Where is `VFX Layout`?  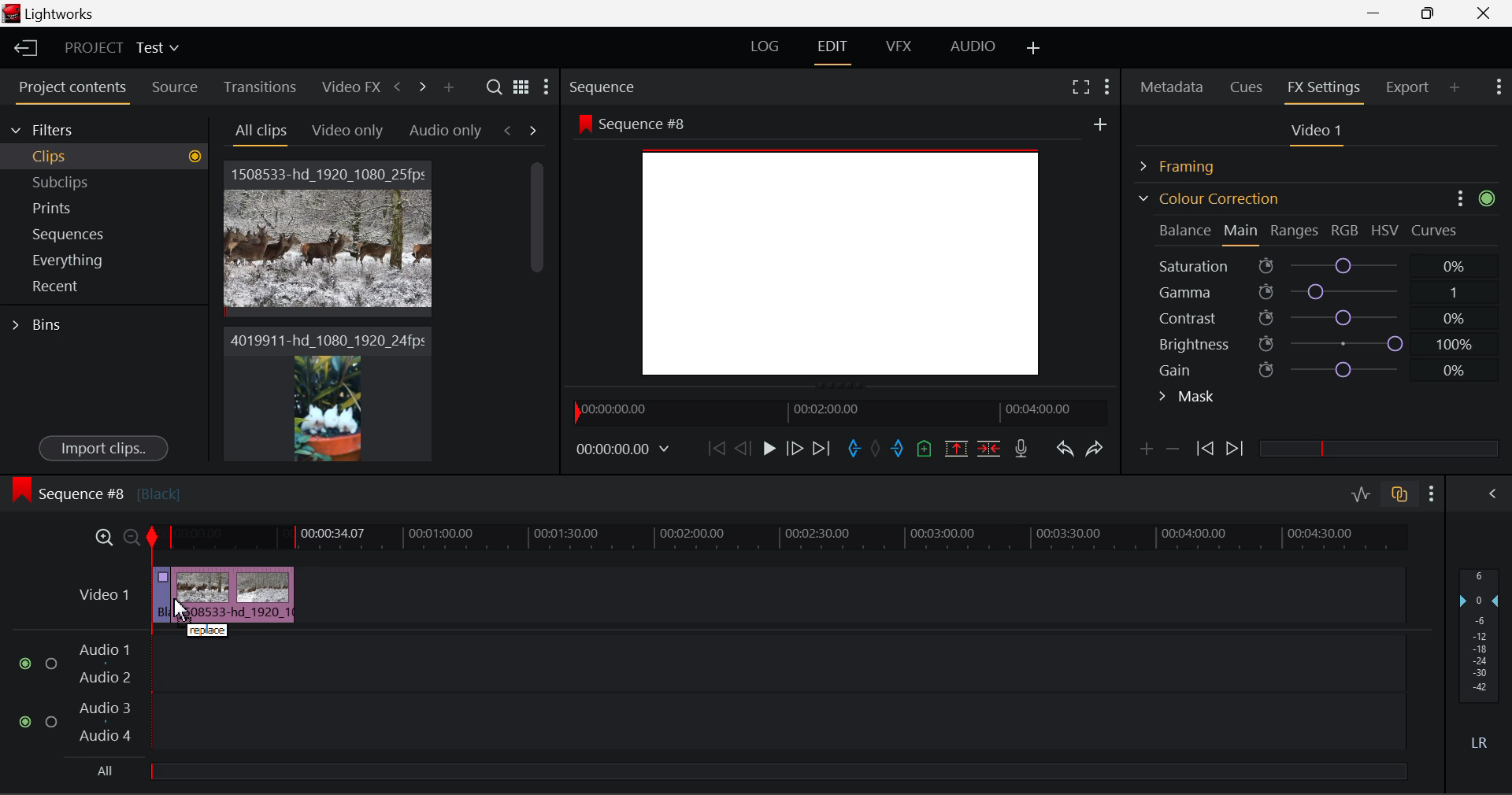
VFX Layout is located at coordinates (902, 48).